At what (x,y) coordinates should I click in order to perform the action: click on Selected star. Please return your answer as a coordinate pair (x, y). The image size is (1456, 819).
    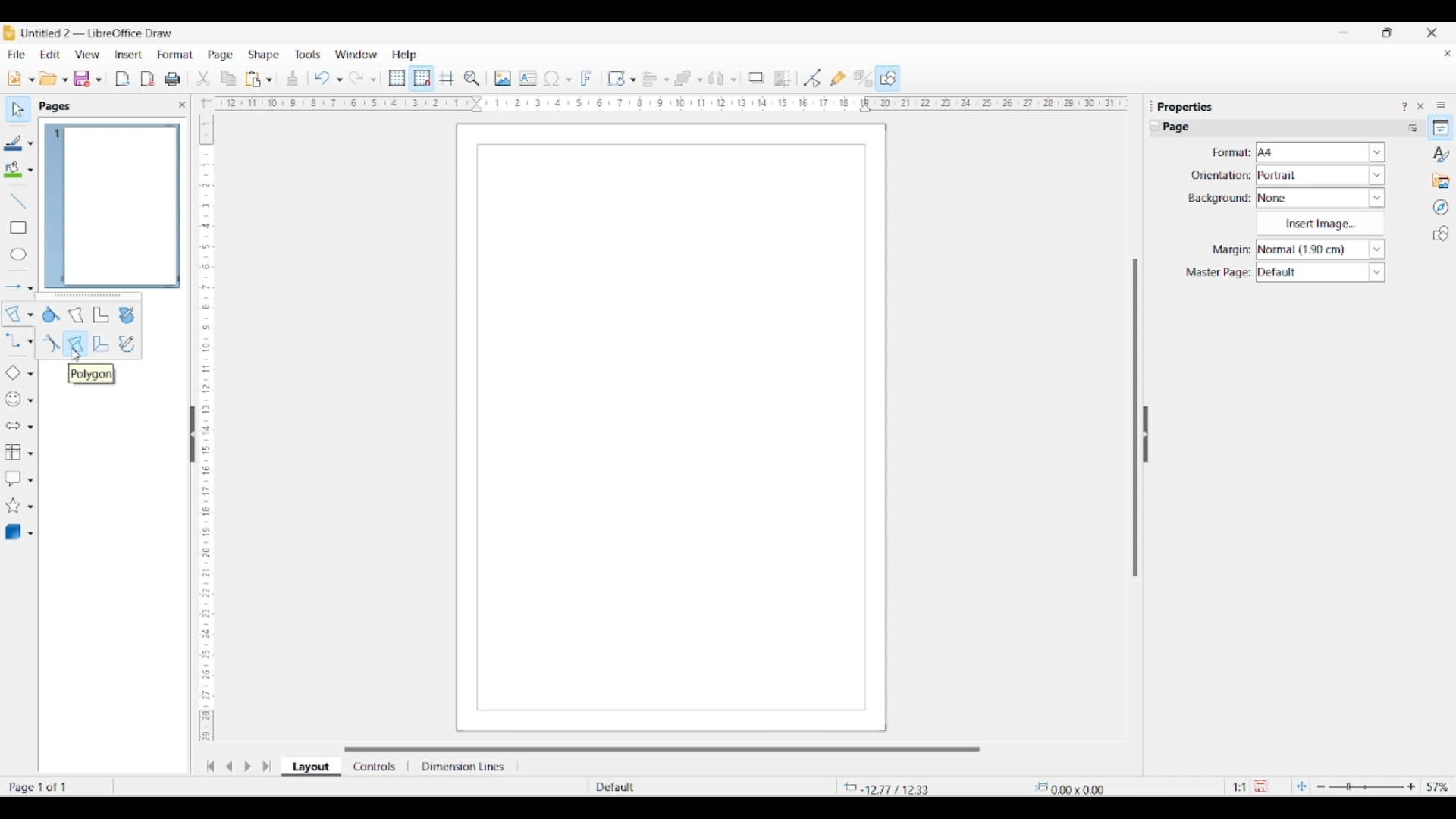
    Looking at the image, I should click on (13, 506).